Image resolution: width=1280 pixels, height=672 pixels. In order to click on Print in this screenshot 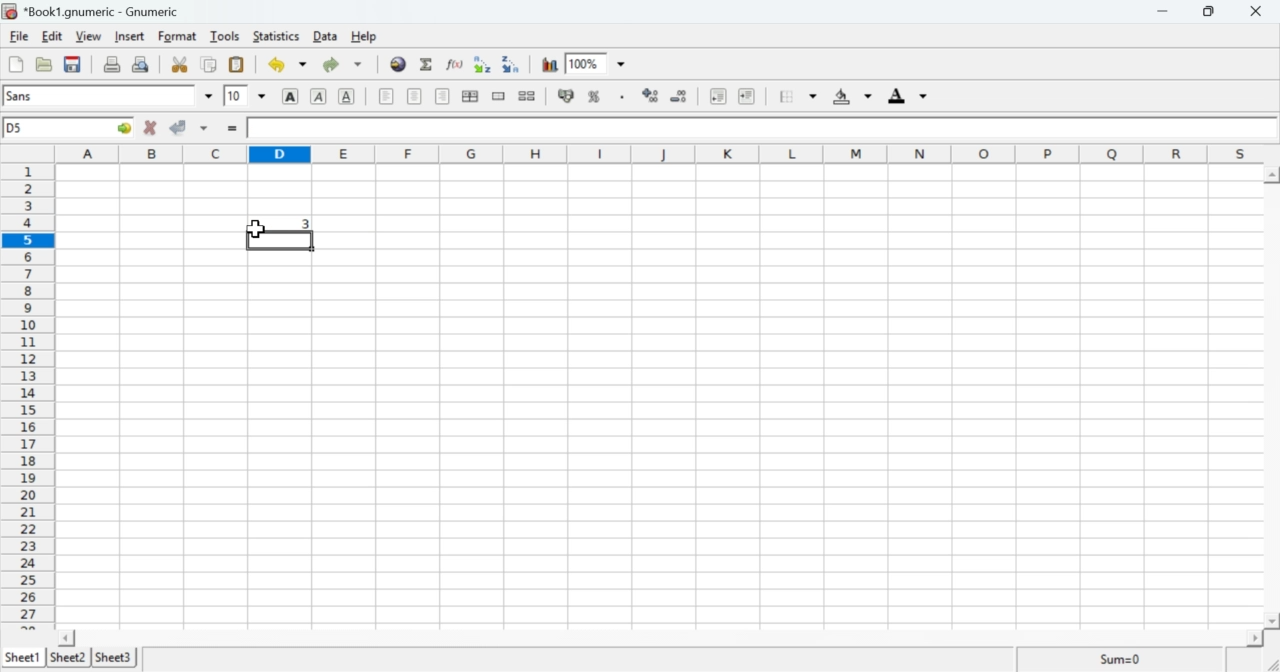, I will do `click(113, 65)`.